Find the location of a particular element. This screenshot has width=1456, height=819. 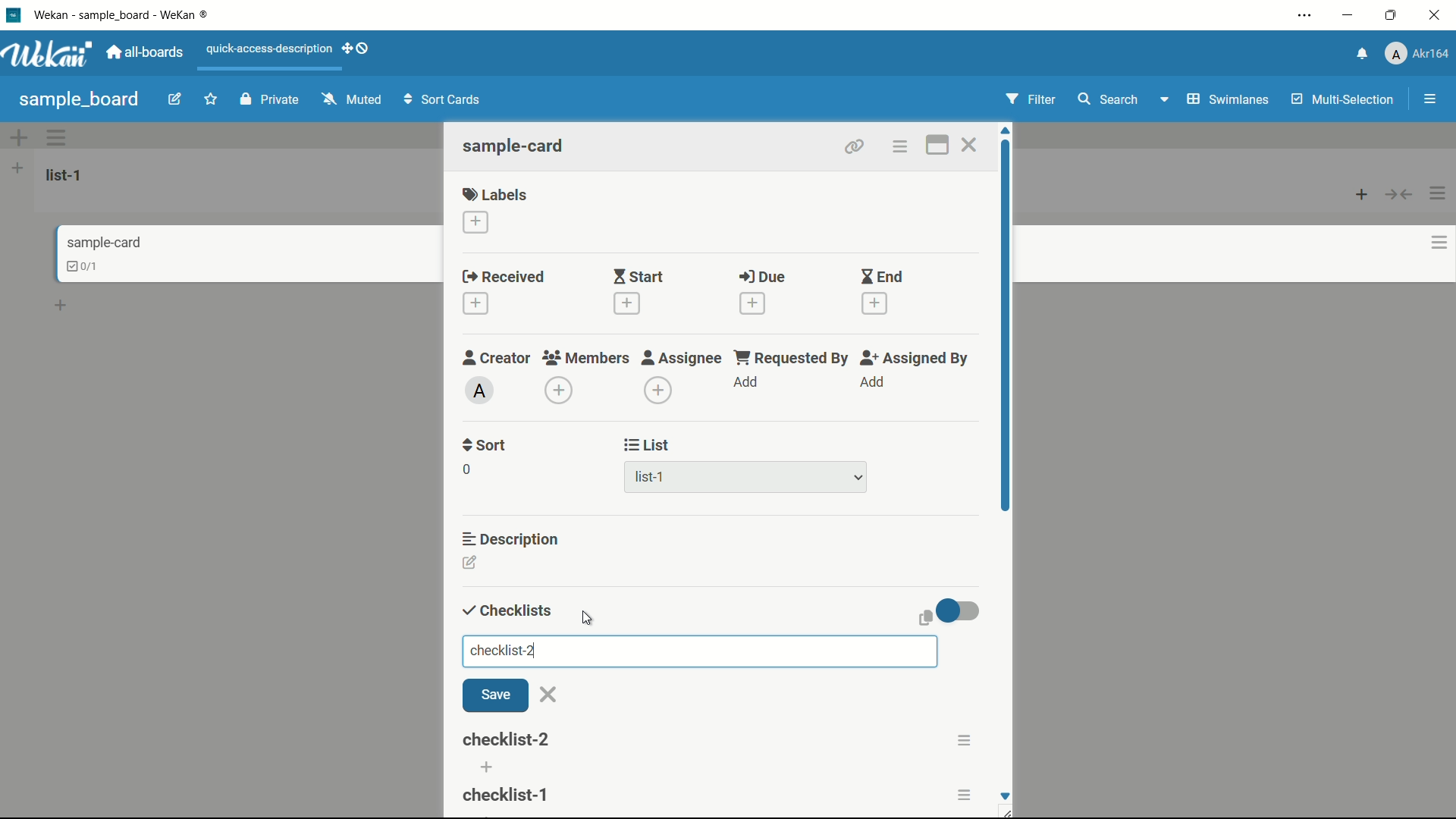

received is located at coordinates (504, 278).